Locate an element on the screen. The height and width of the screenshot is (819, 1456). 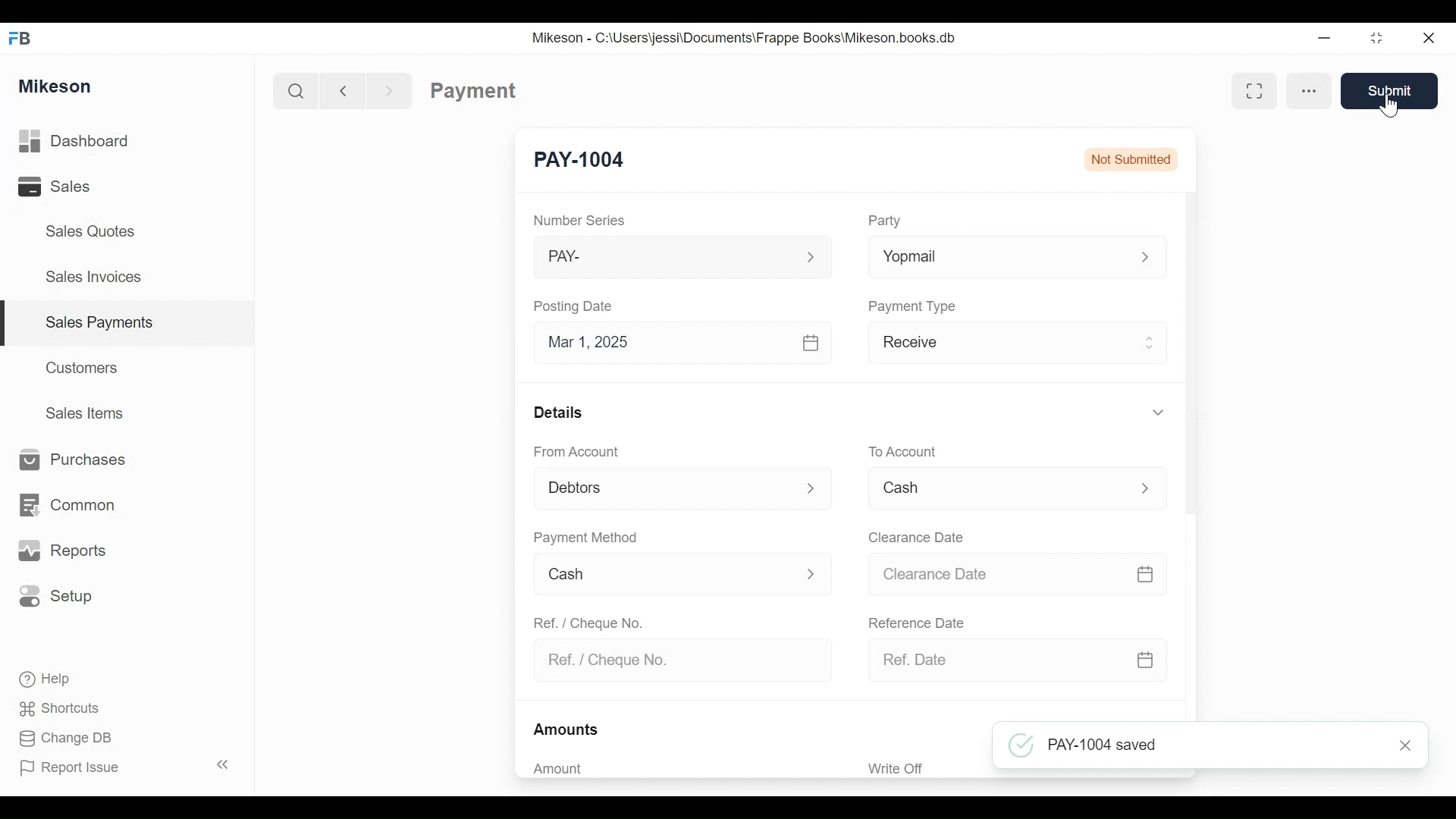
Receive is located at coordinates (1025, 345).